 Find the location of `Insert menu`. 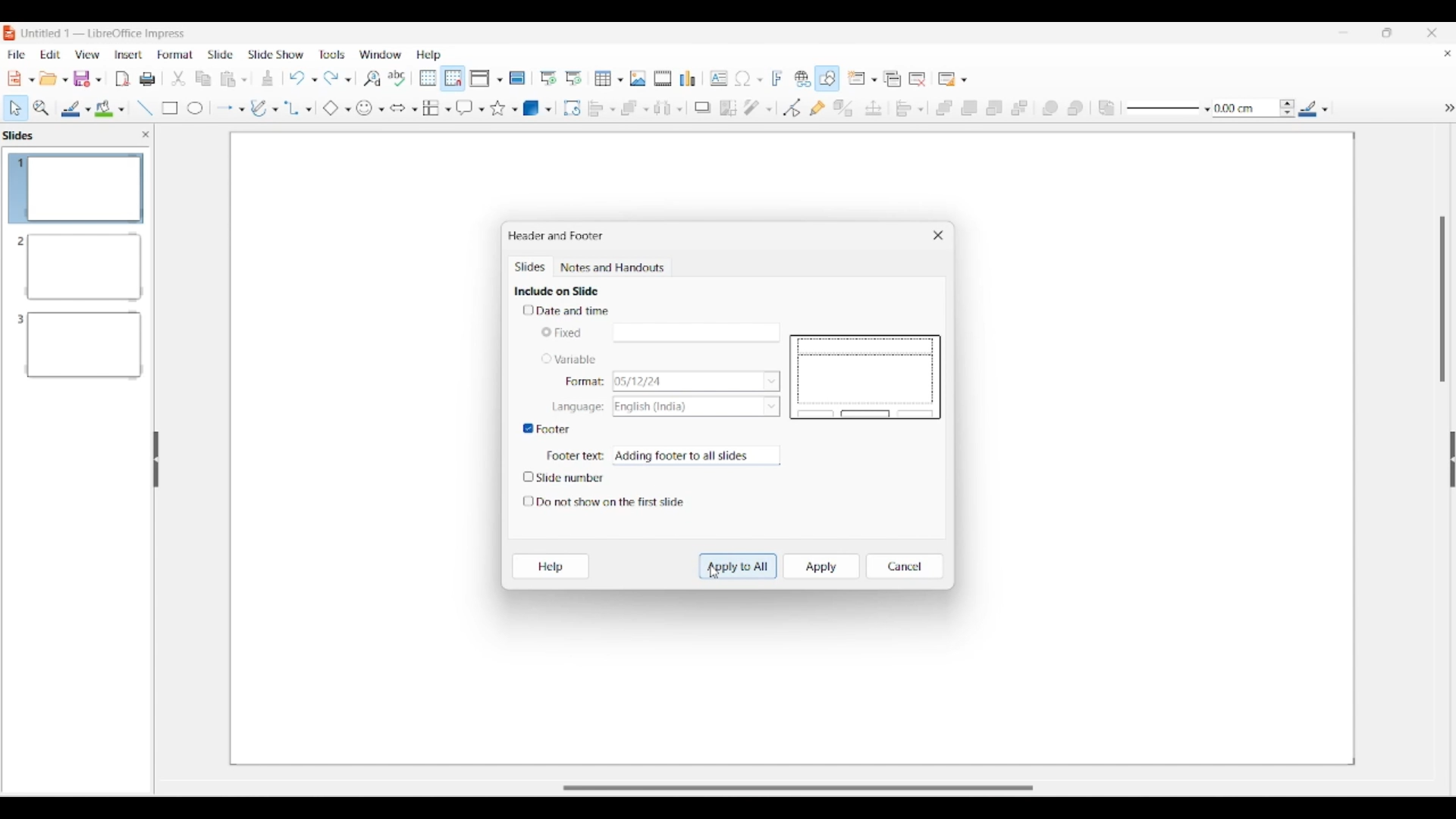

Insert menu is located at coordinates (128, 55).